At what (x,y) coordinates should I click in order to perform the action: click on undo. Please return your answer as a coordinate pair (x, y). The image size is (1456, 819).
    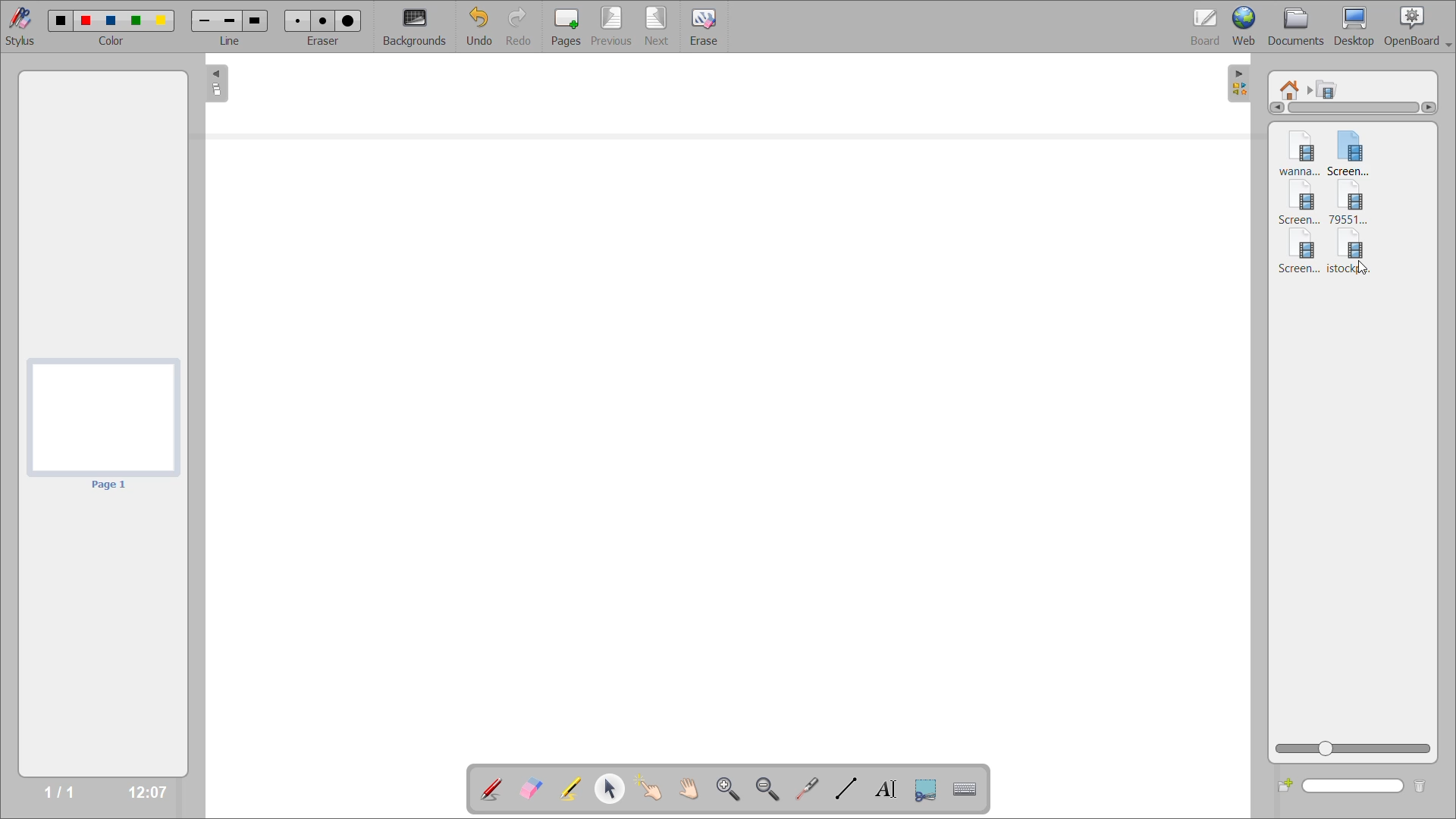
    Looking at the image, I should click on (478, 27).